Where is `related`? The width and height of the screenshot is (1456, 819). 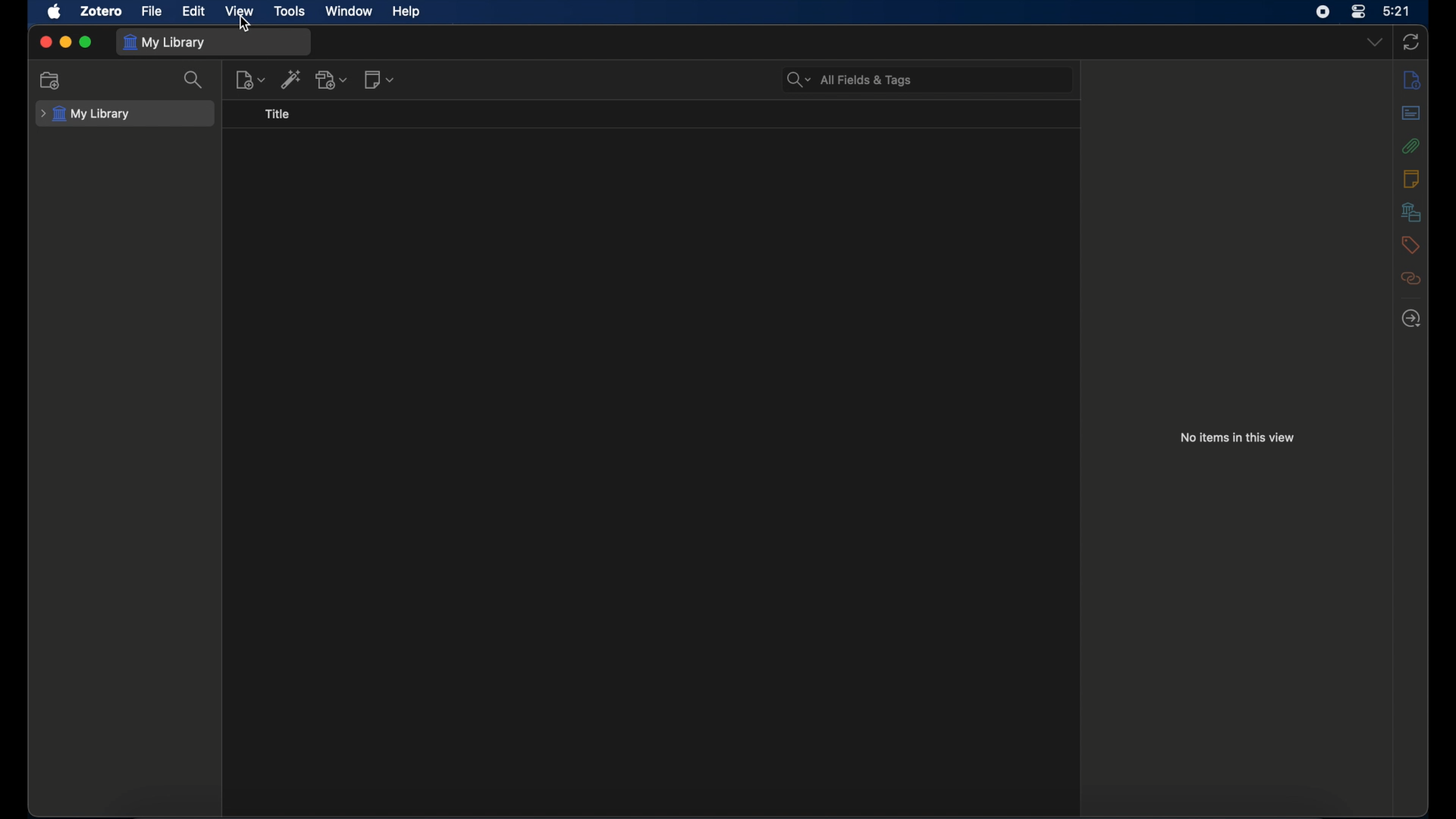
related is located at coordinates (1410, 278).